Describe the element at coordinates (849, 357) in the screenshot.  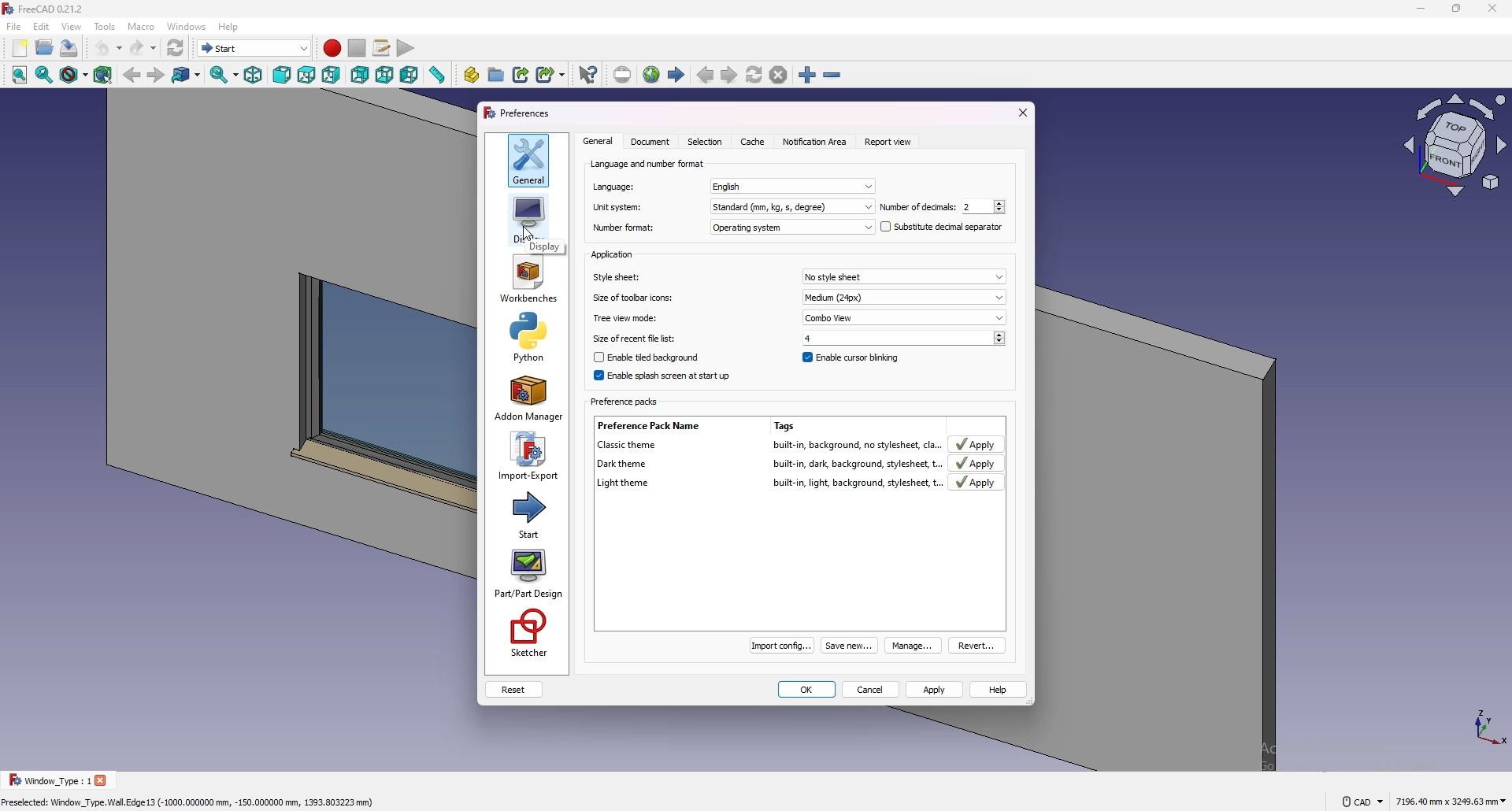
I see `enable cursor blinking` at that location.